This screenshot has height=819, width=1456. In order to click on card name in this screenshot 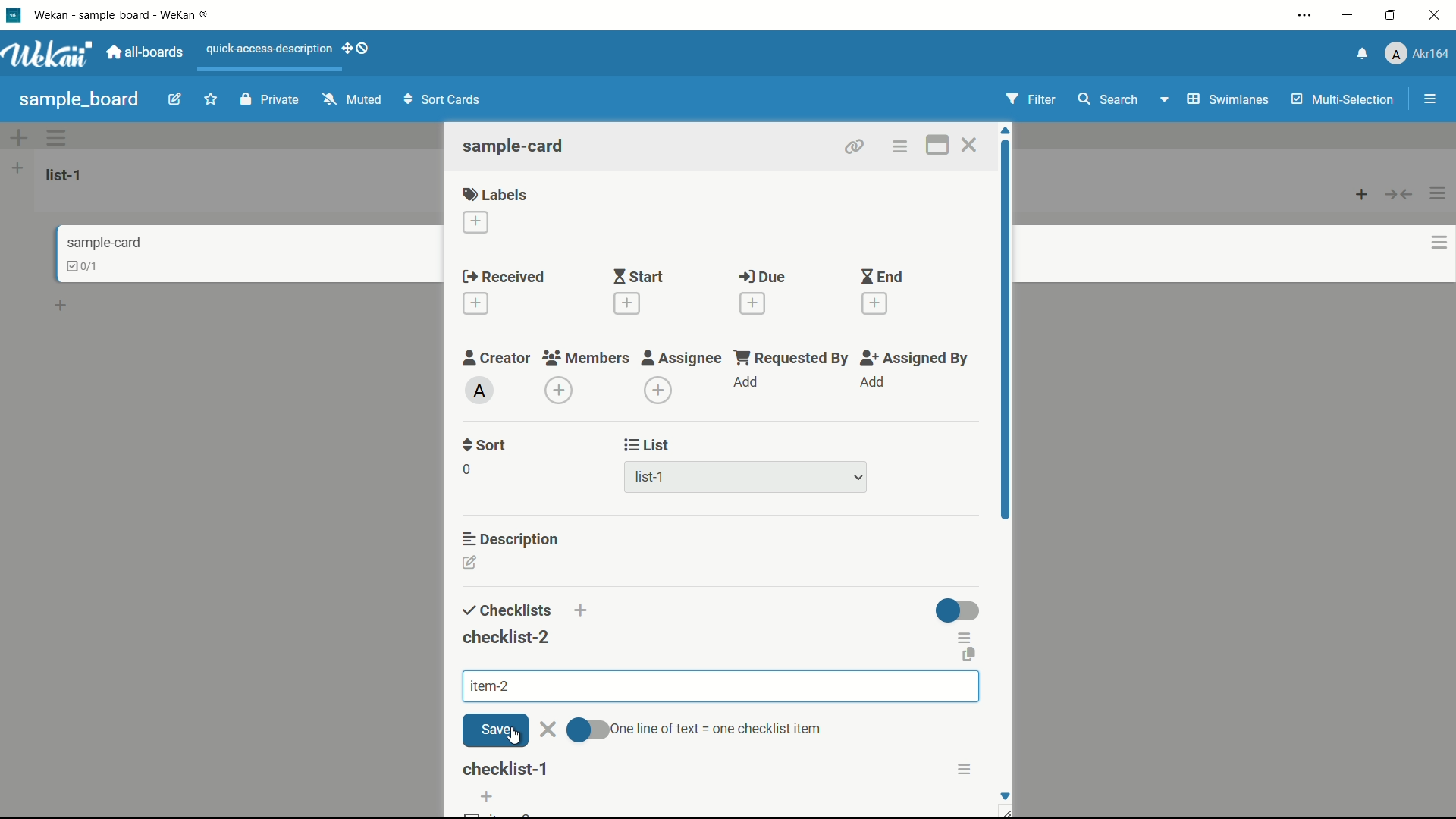, I will do `click(515, 146)`.